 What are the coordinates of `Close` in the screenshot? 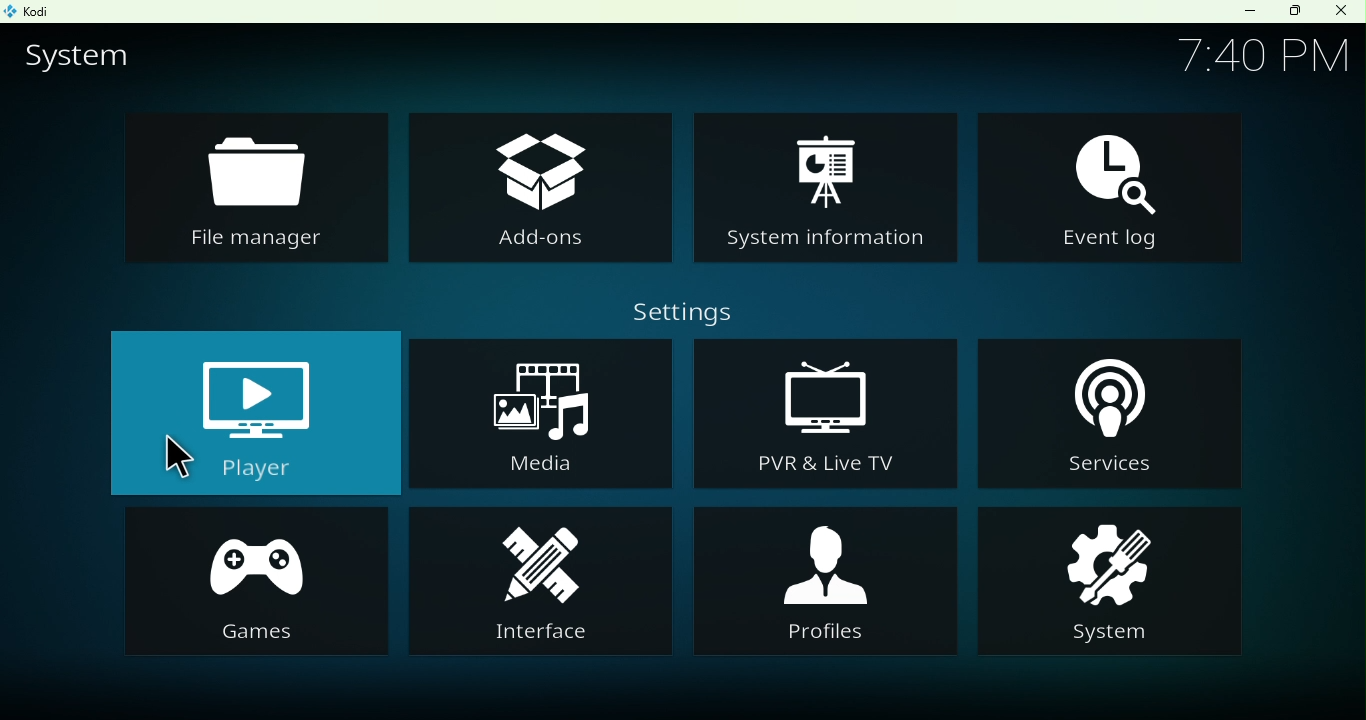 It's located at (1340, 12).